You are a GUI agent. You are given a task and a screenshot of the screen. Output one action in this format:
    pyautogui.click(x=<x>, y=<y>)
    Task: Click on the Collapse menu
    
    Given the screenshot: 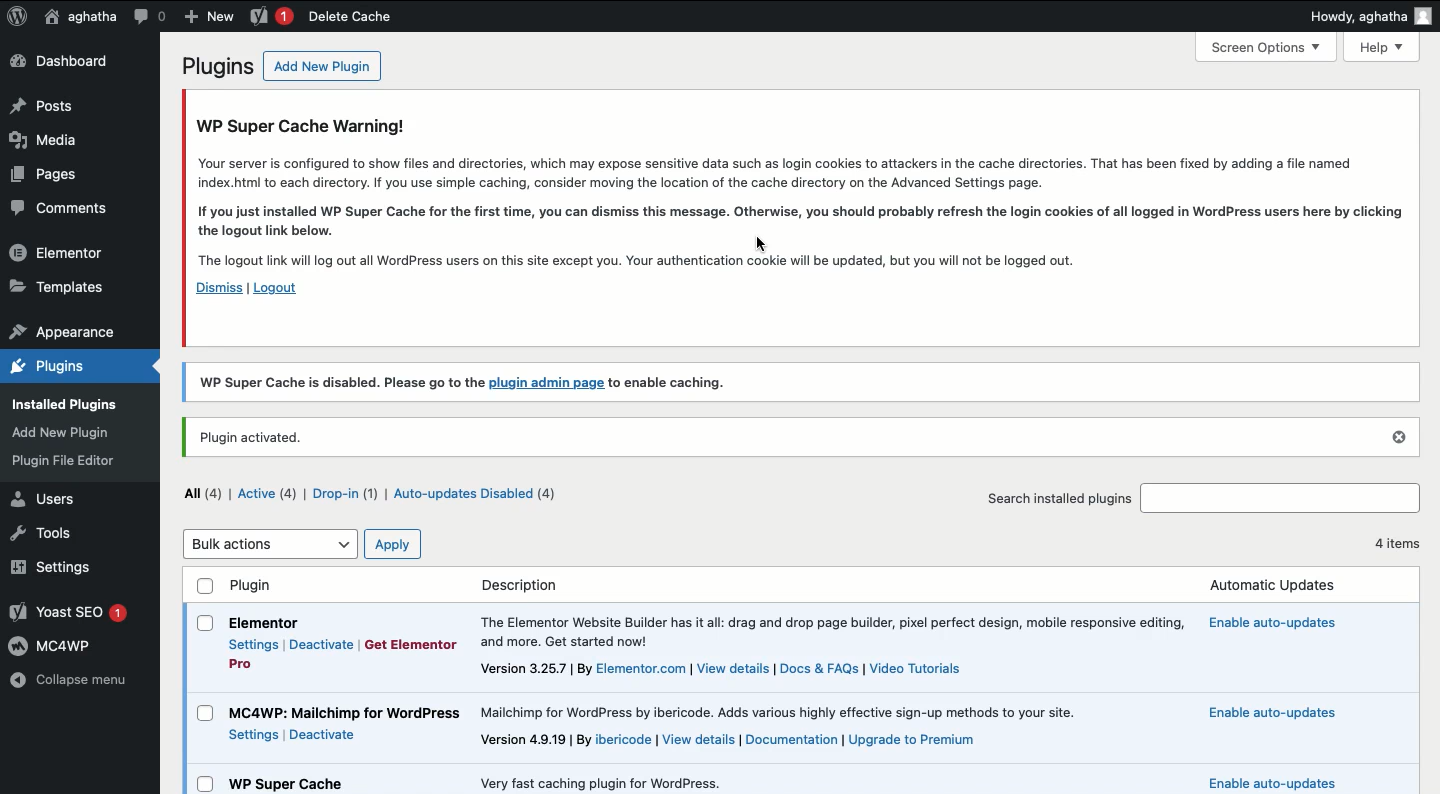 What is the action you would take?
    pyautogui.click(x=71, y=678)
    